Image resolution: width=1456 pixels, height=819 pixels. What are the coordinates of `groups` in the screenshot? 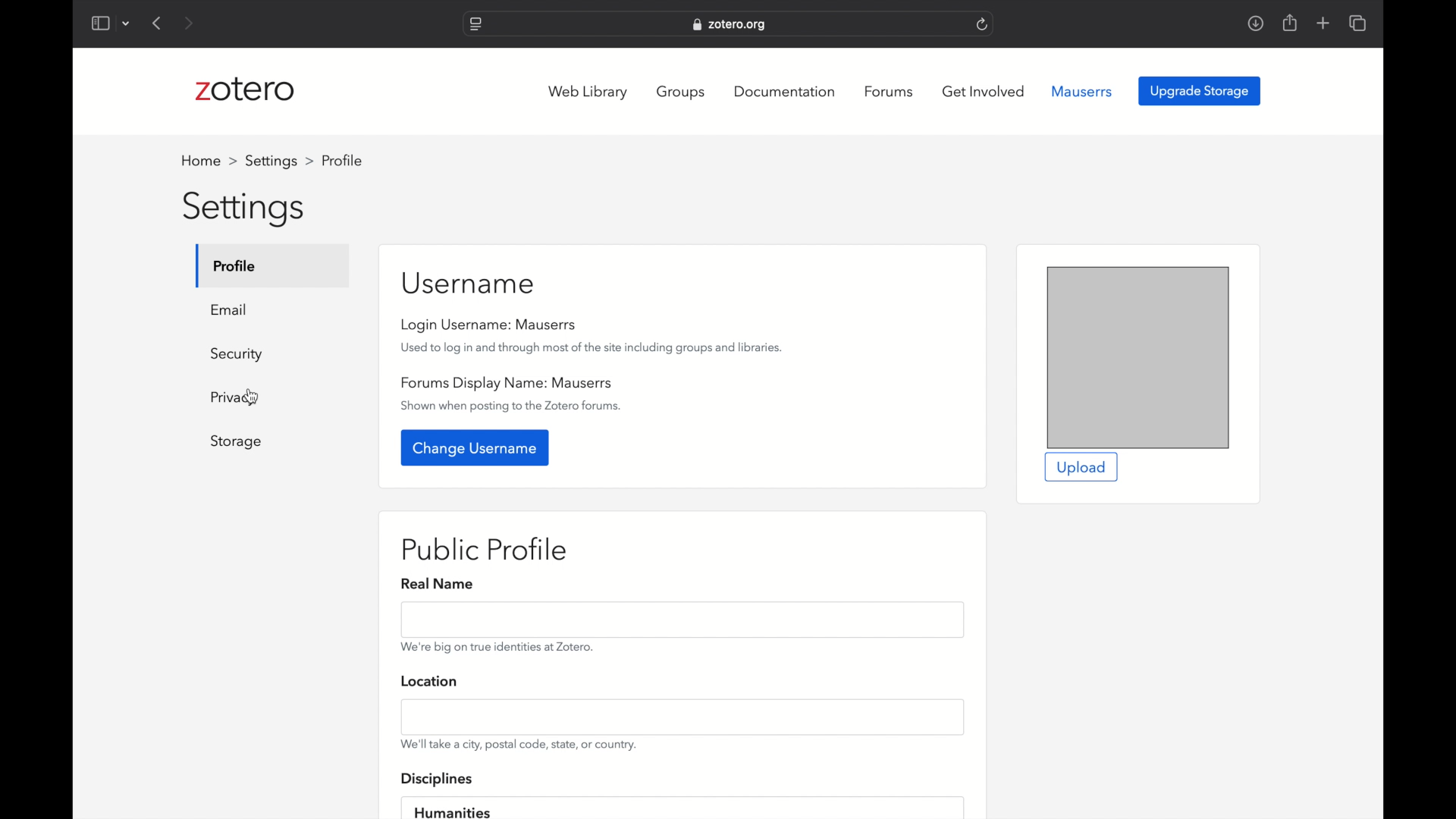 It's located at (682, 92).